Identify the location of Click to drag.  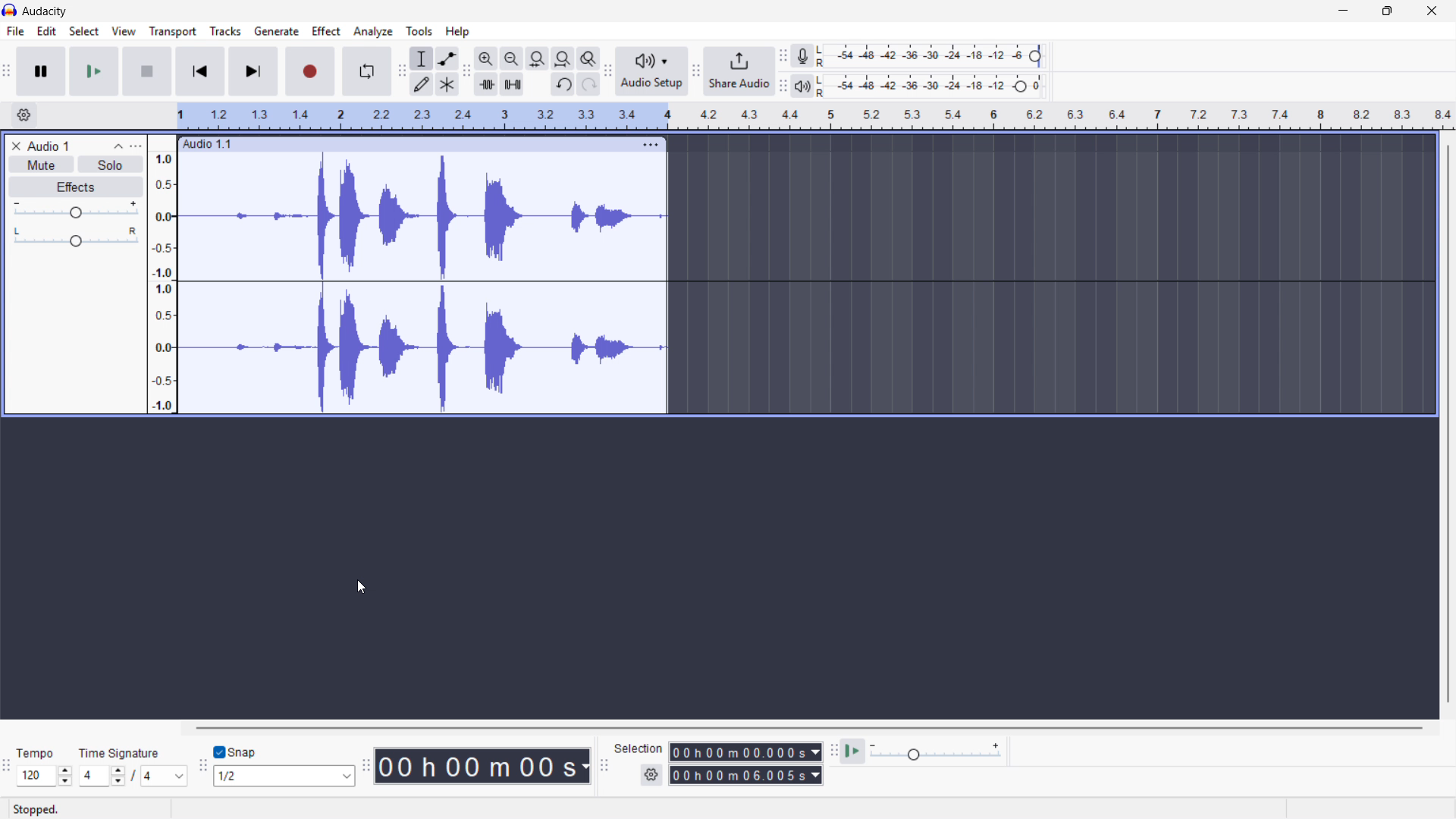
(407, 143).